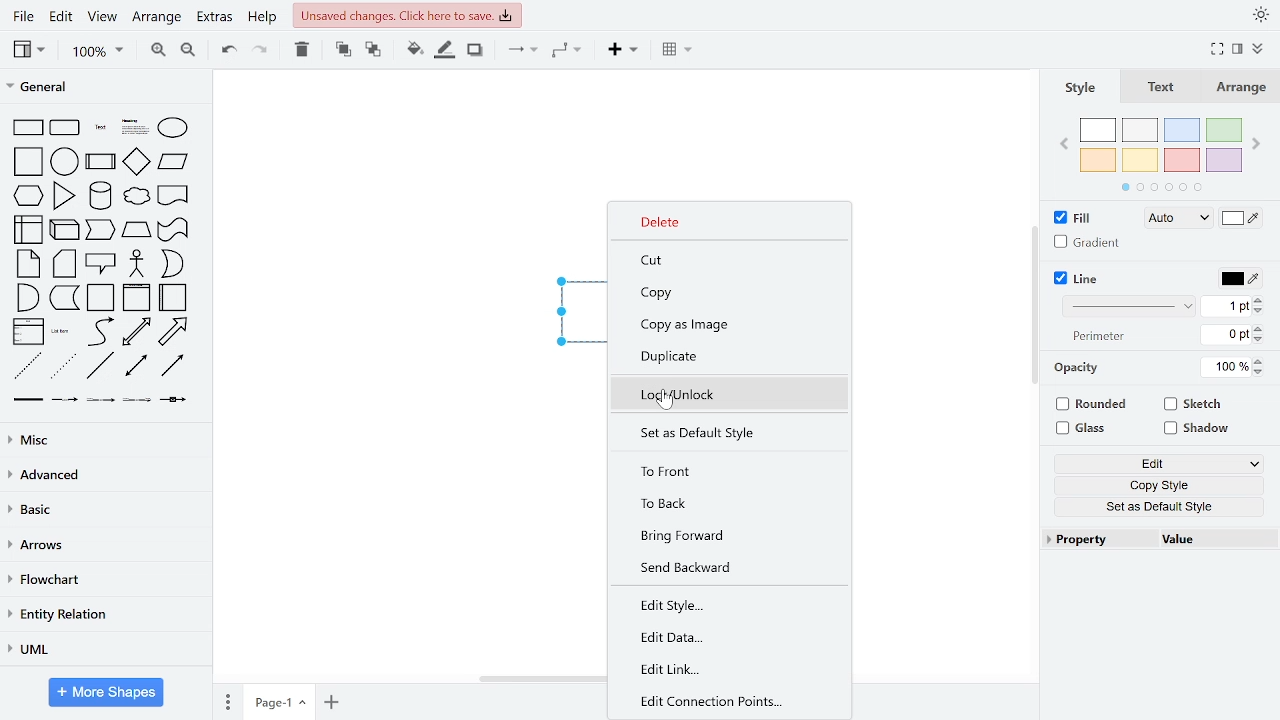 Image resolution: width=1280 pixels, height=720 pixels. What do you see at coordinates (678, 51) in the screenshot?
I see `insert` at bounding box center [678, 51].